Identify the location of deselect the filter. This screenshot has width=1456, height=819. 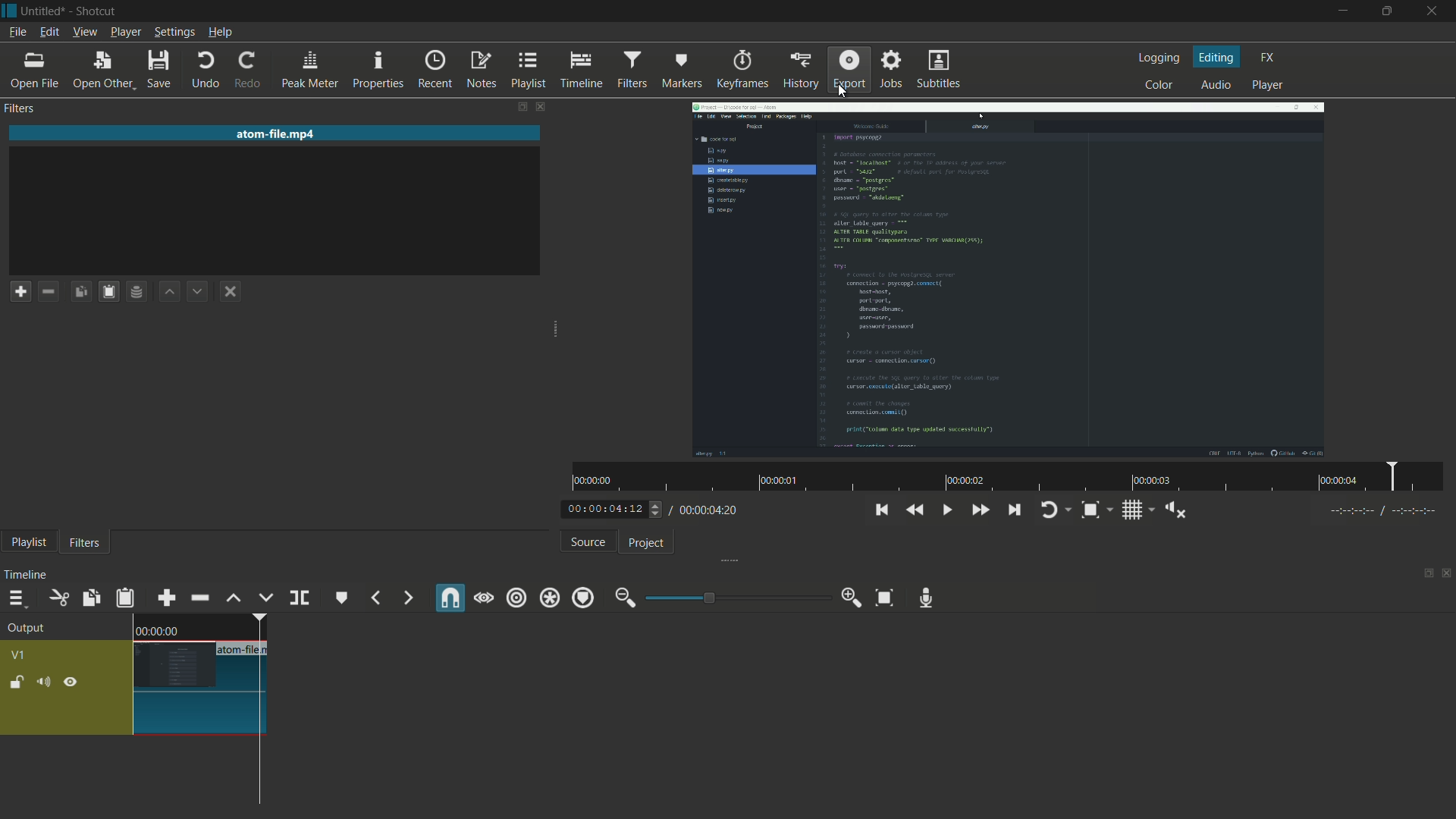
(231, 290).